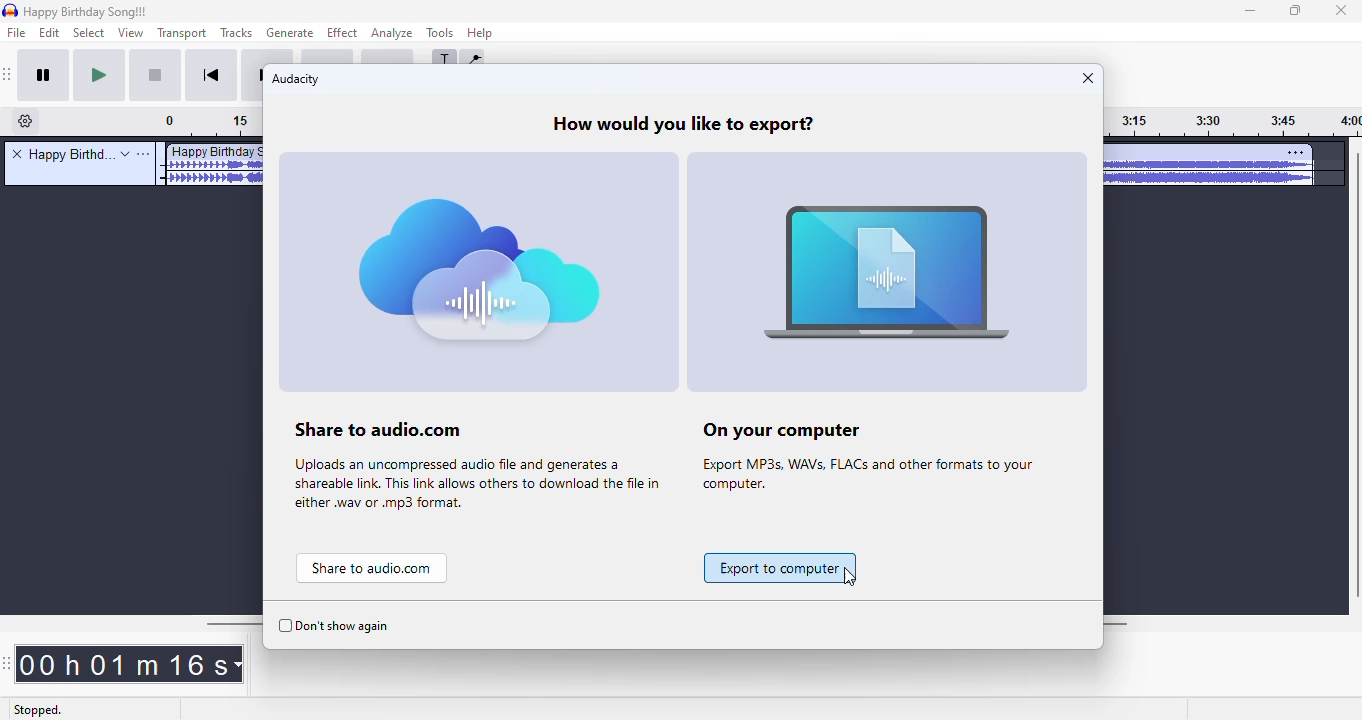 Image resolution: width=1362 pixels, height=720 pixels. I want to click on edit, so click(52, 33).